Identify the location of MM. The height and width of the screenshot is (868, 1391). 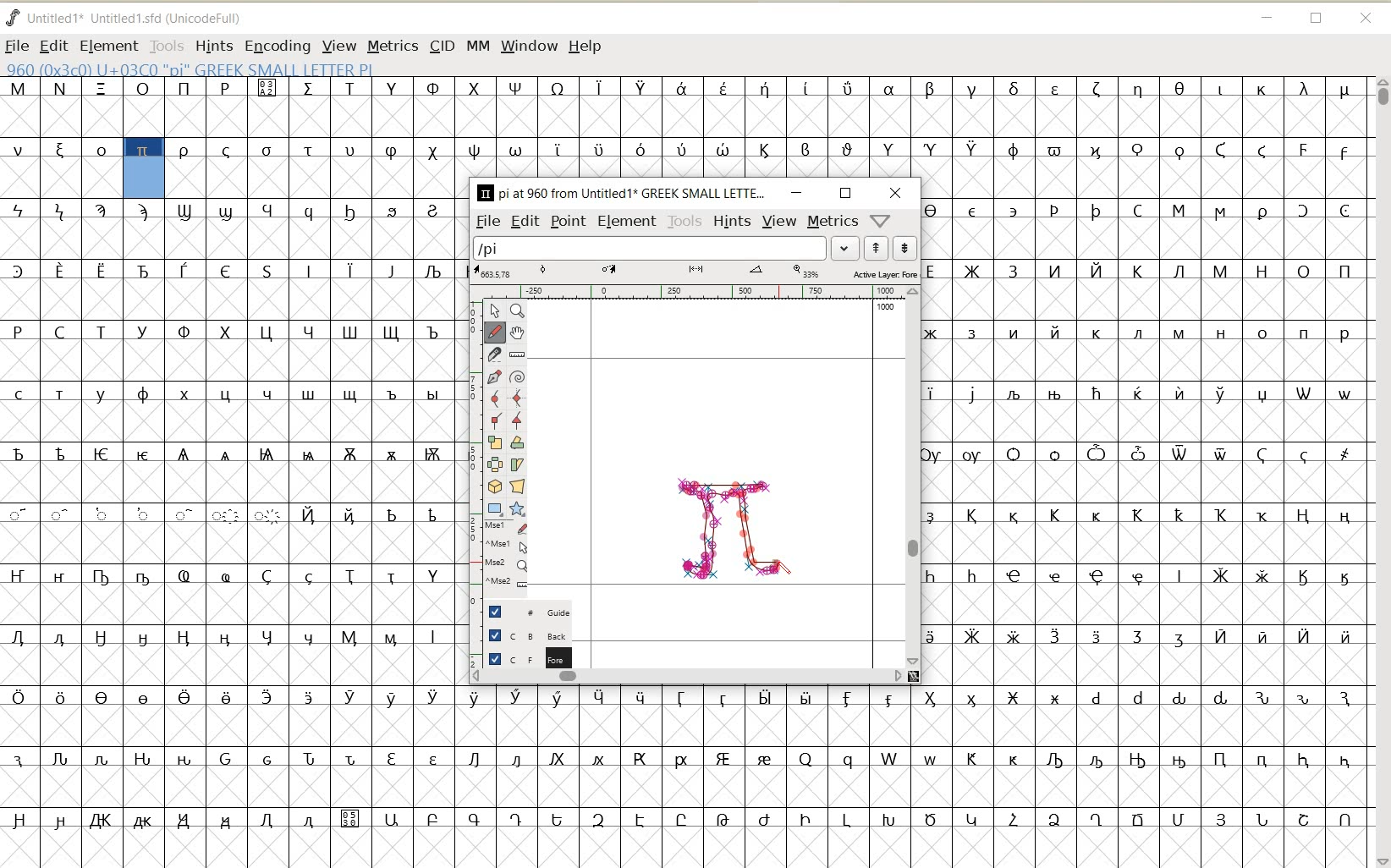
(477, 45).